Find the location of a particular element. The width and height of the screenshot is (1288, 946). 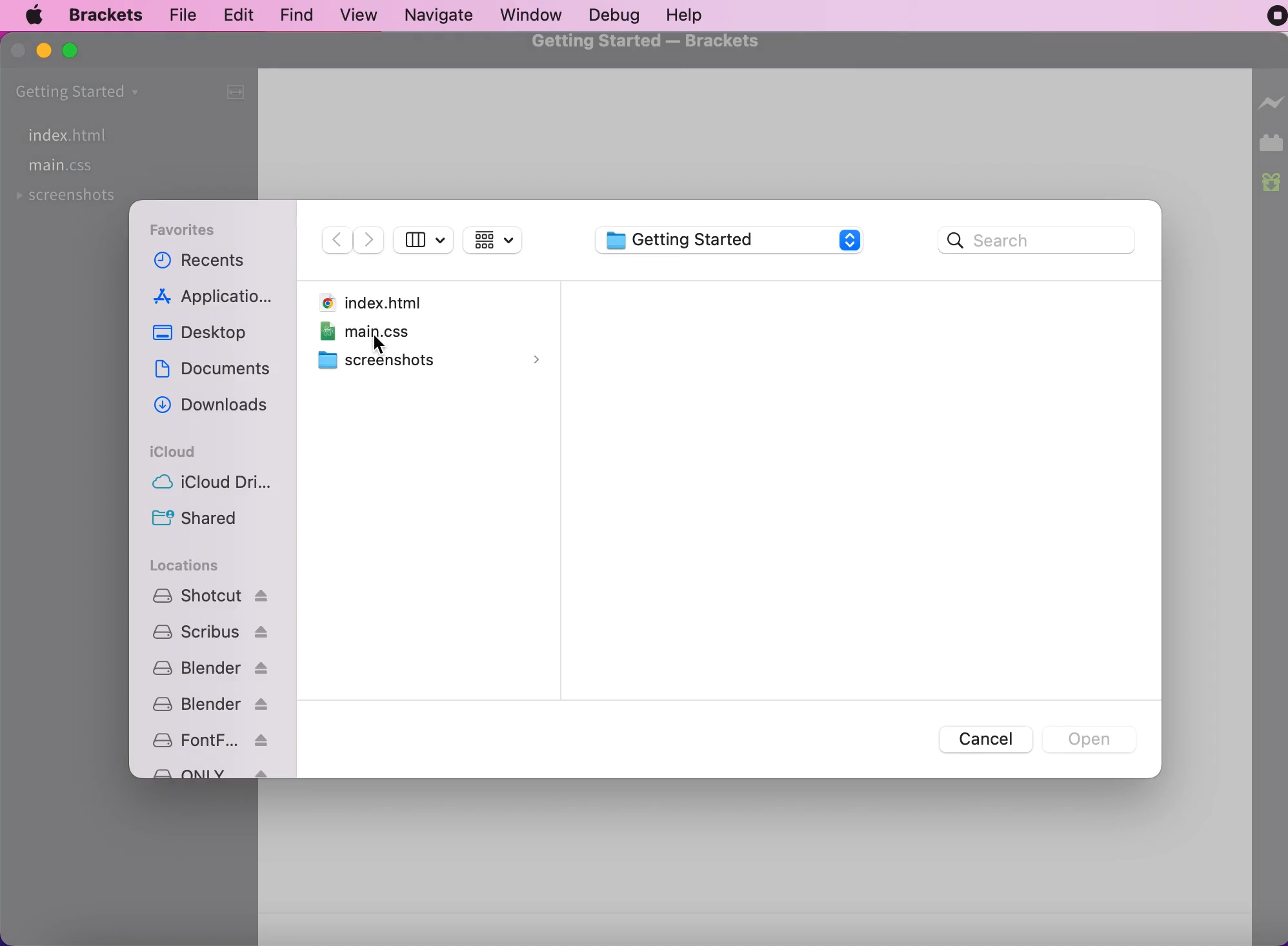

close is located at coordinates (17, 53).